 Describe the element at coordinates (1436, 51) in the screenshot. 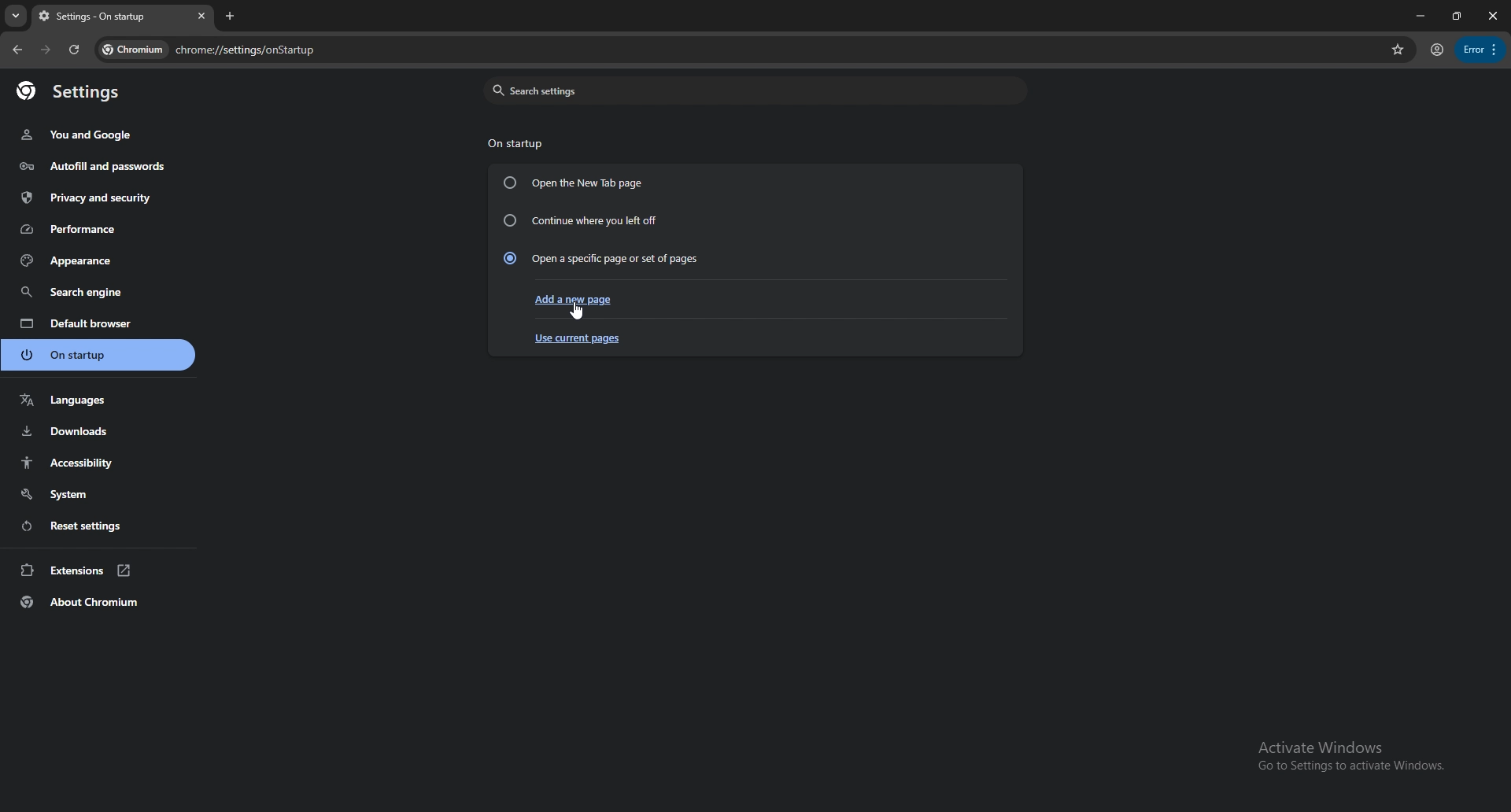

I see `profile` at that location.